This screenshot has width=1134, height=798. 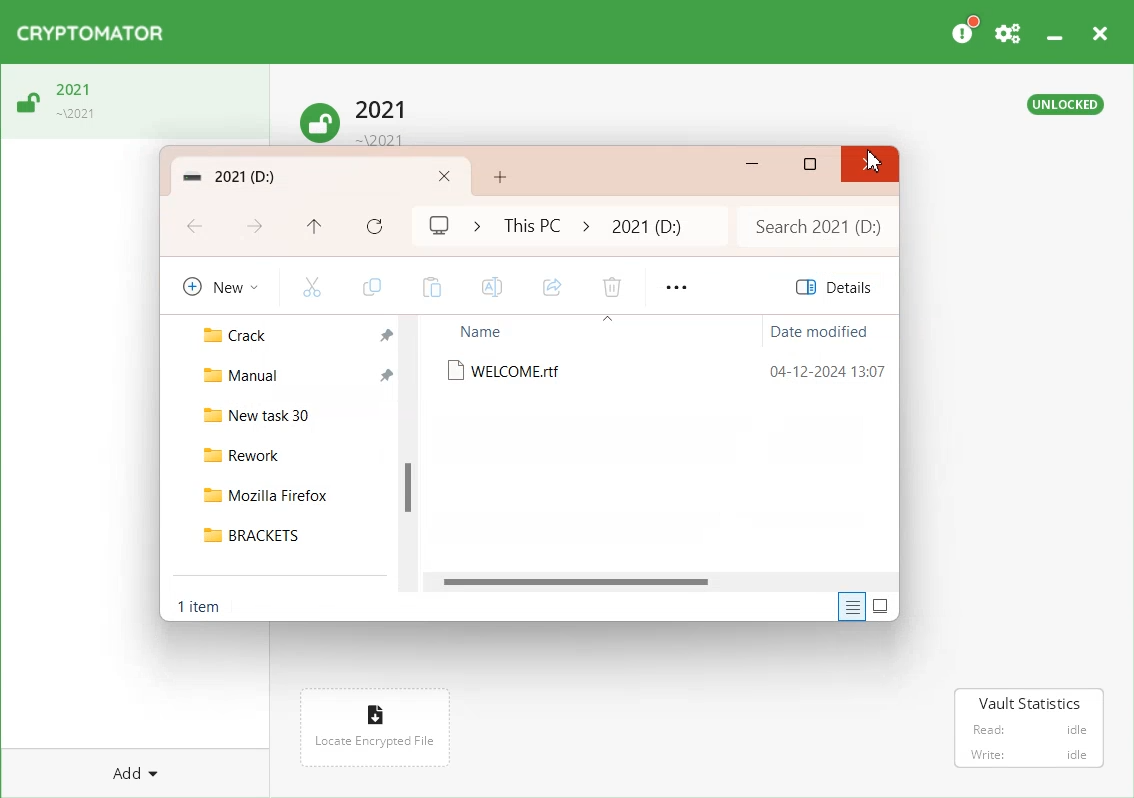 What do you see at coordinates (377, 725) in the screenshot?
I see `Locate encrypted File` at bounding box center [377, 725].